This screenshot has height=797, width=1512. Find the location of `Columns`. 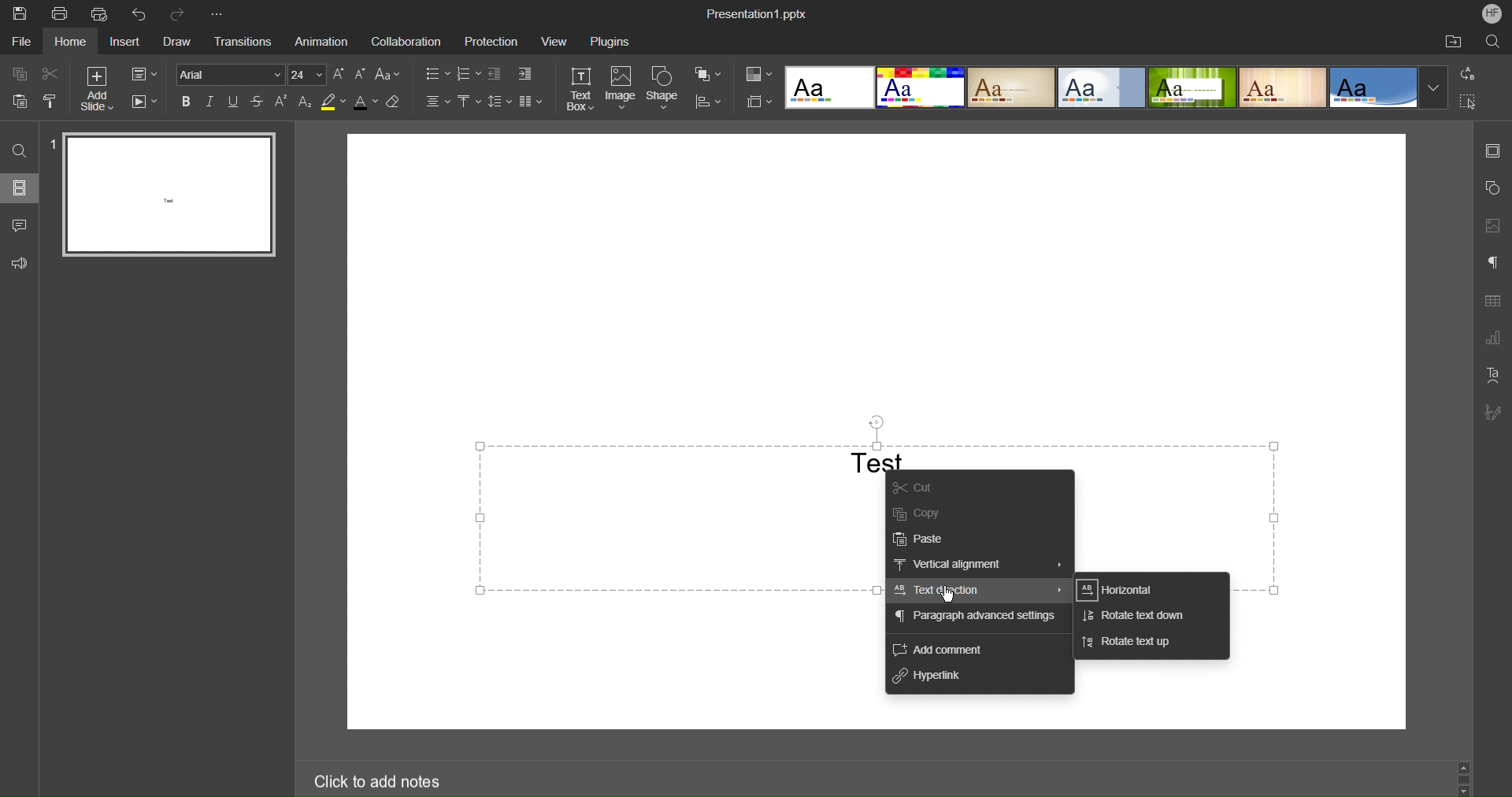

Columns is located at coordinates (530, 103).